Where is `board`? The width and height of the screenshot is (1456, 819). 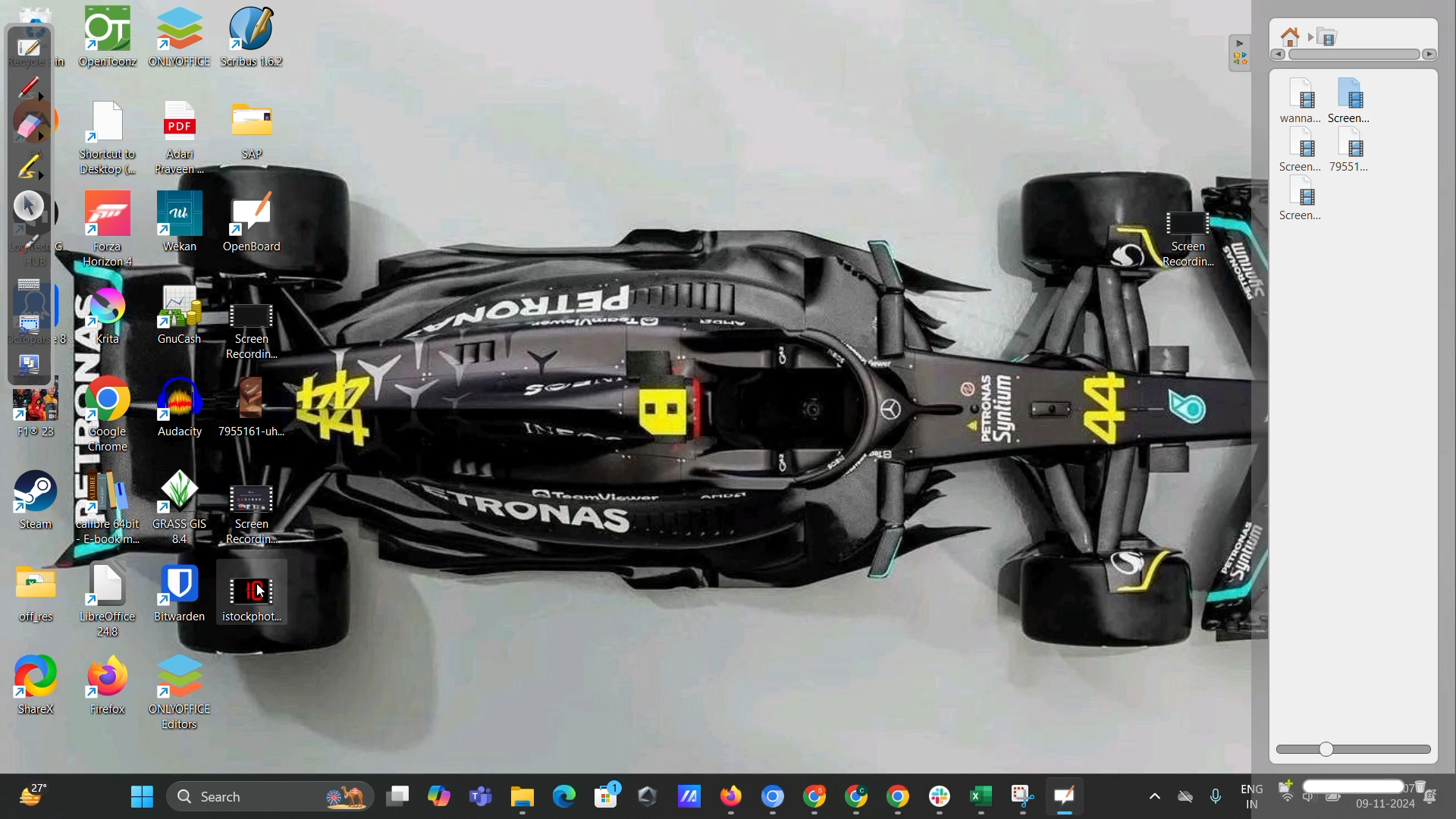 board is located at coordinates (30, 51).